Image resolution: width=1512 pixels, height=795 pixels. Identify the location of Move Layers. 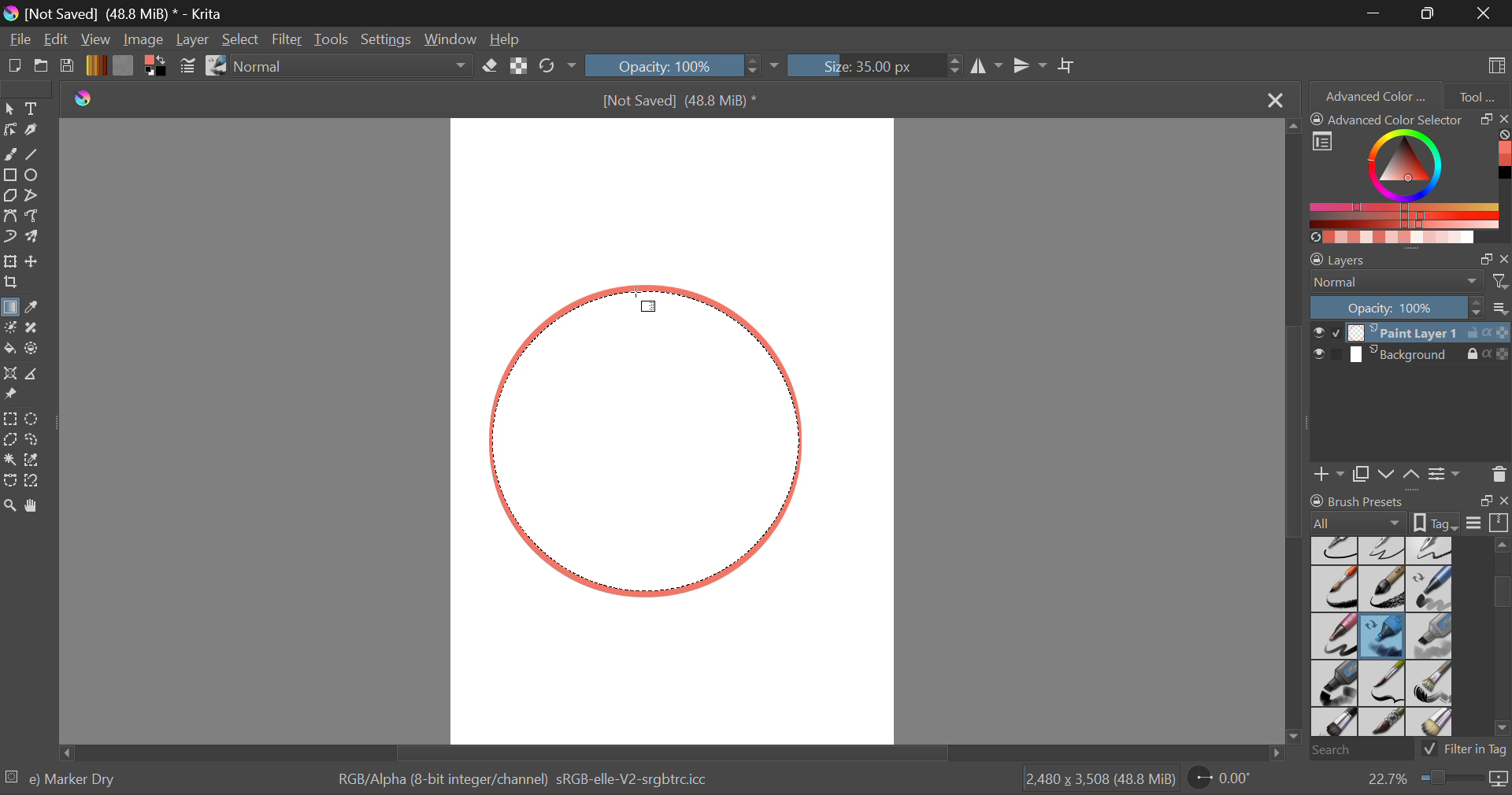
(1400, 472).